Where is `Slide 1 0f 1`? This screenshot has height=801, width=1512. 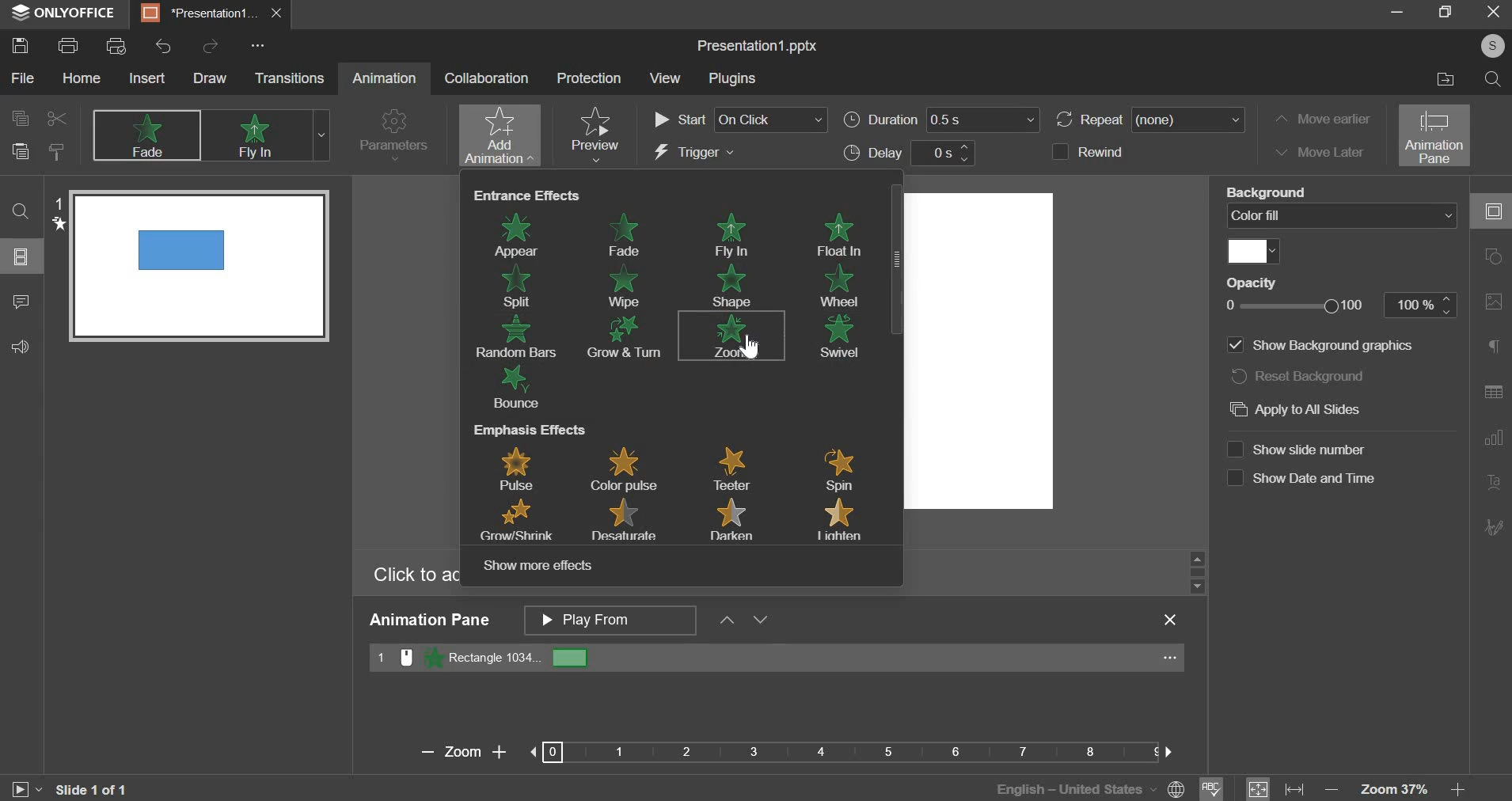 Slide 1 0f 1 is located at coordinates (74, 789).